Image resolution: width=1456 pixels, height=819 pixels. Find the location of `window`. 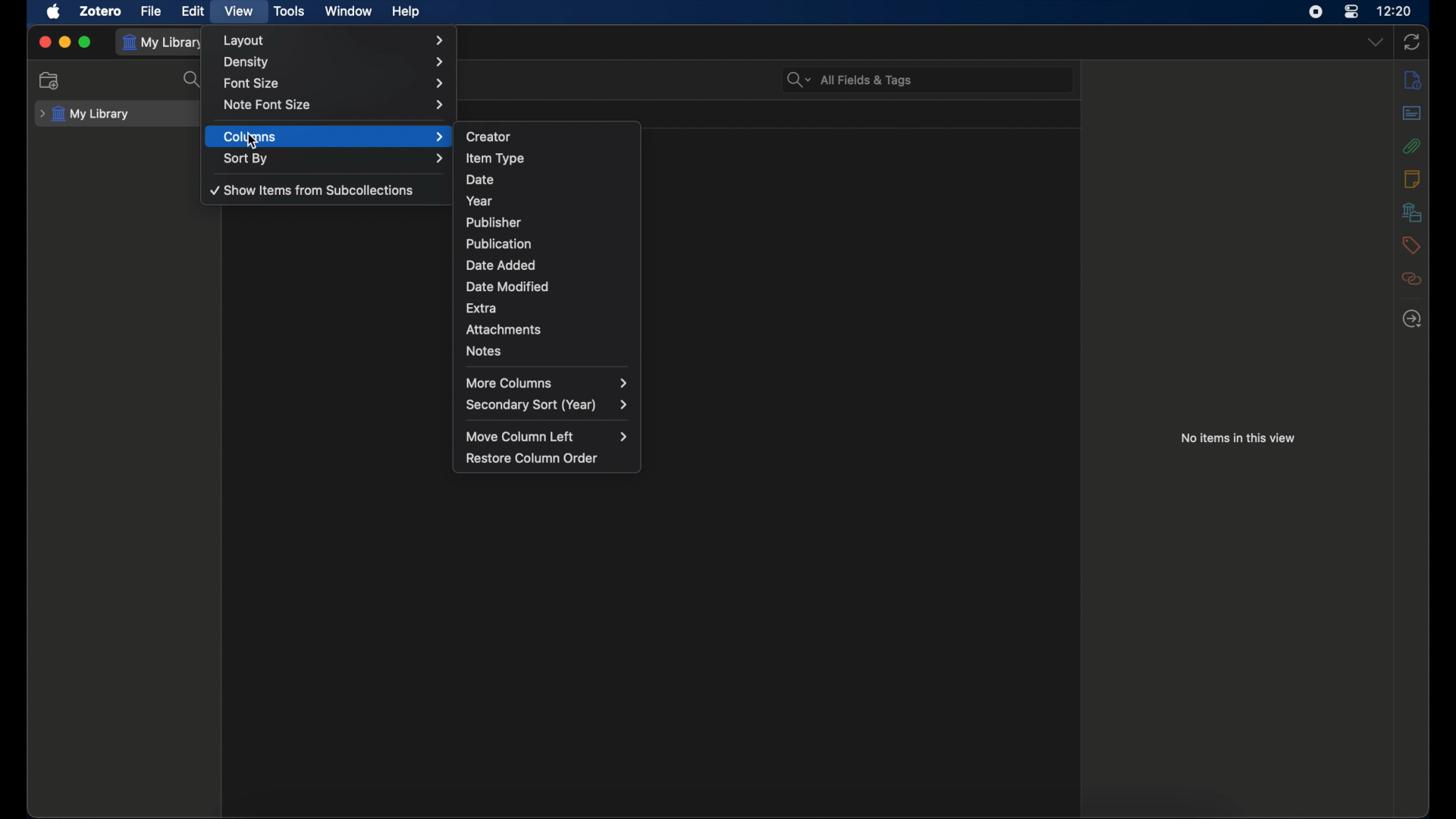

window is located at coordinates (347, 11).